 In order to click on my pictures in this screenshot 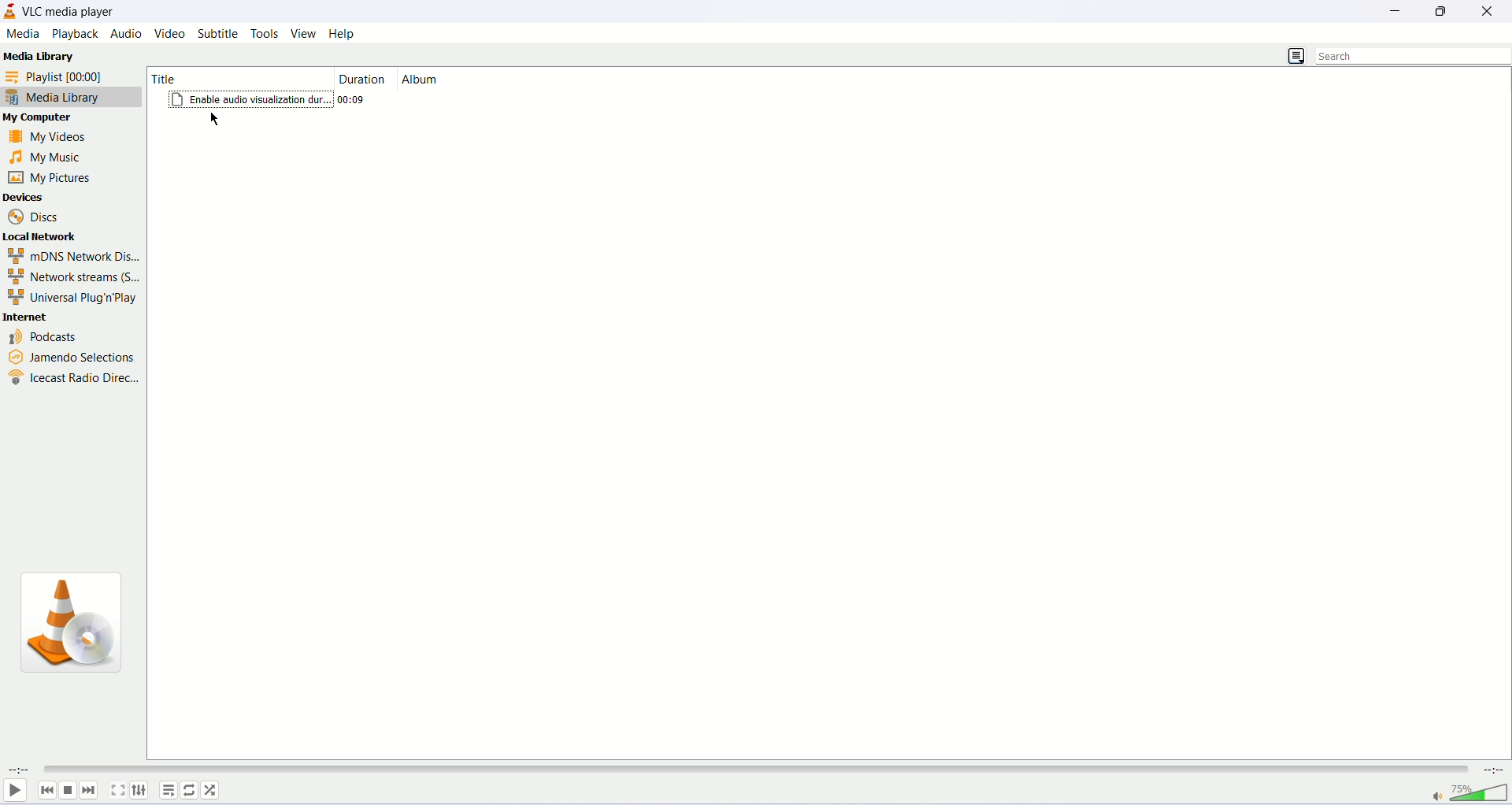, I will do `click(50, 177)`.